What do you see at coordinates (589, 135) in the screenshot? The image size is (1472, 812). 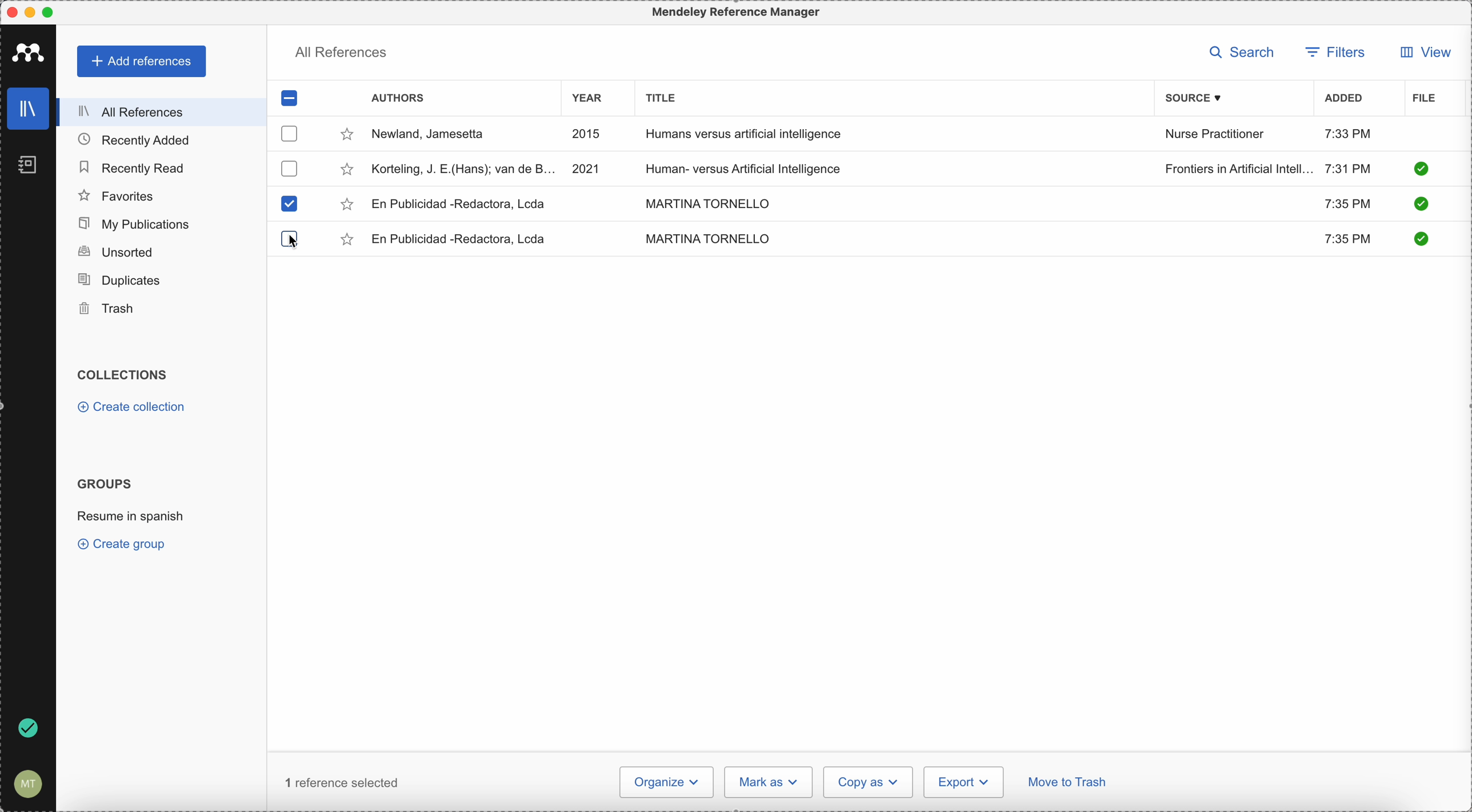 I see `2015` at bounding box center [589, 135].